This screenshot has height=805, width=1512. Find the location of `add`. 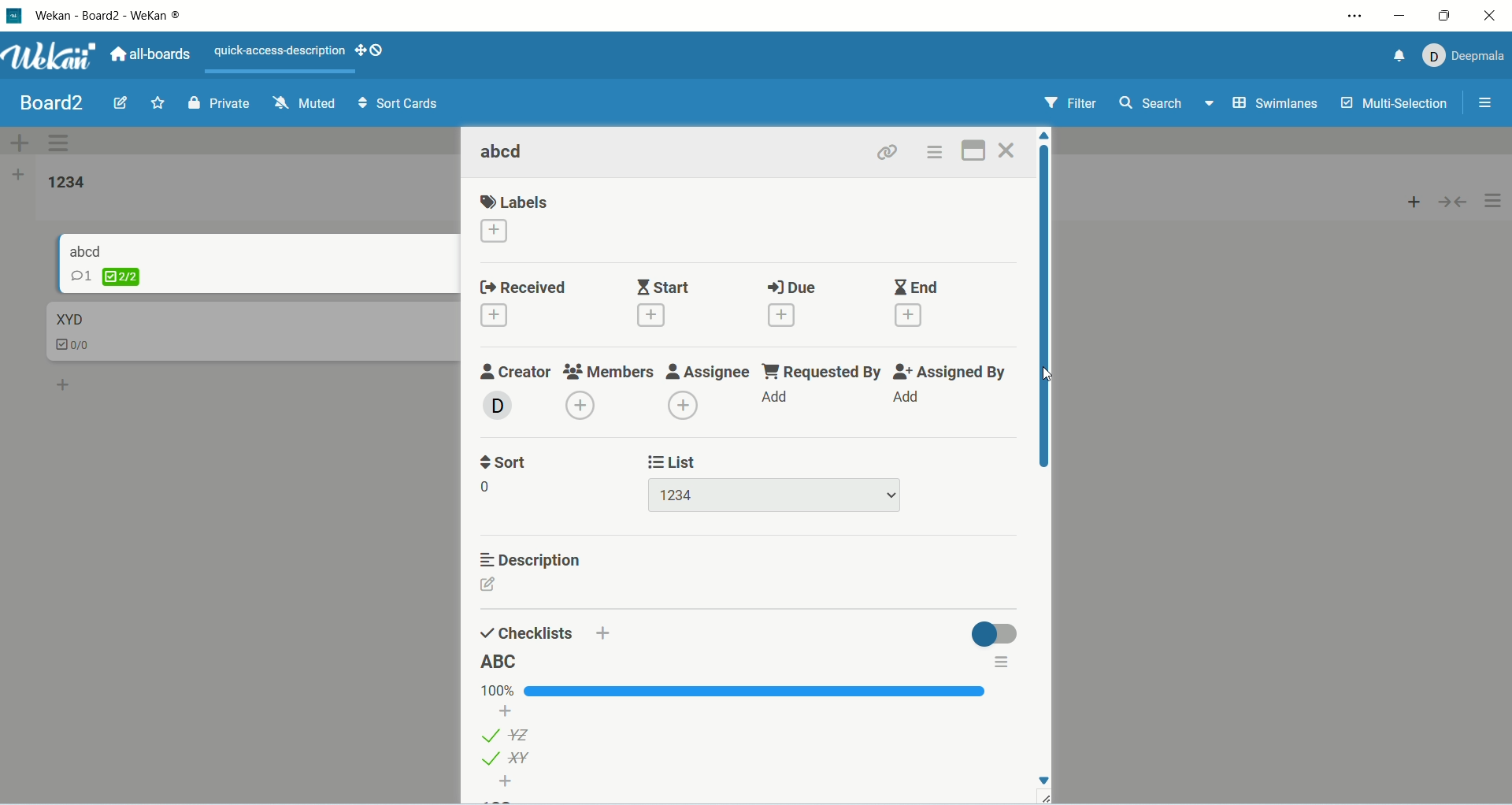

add is located at coordinates (780, 316).